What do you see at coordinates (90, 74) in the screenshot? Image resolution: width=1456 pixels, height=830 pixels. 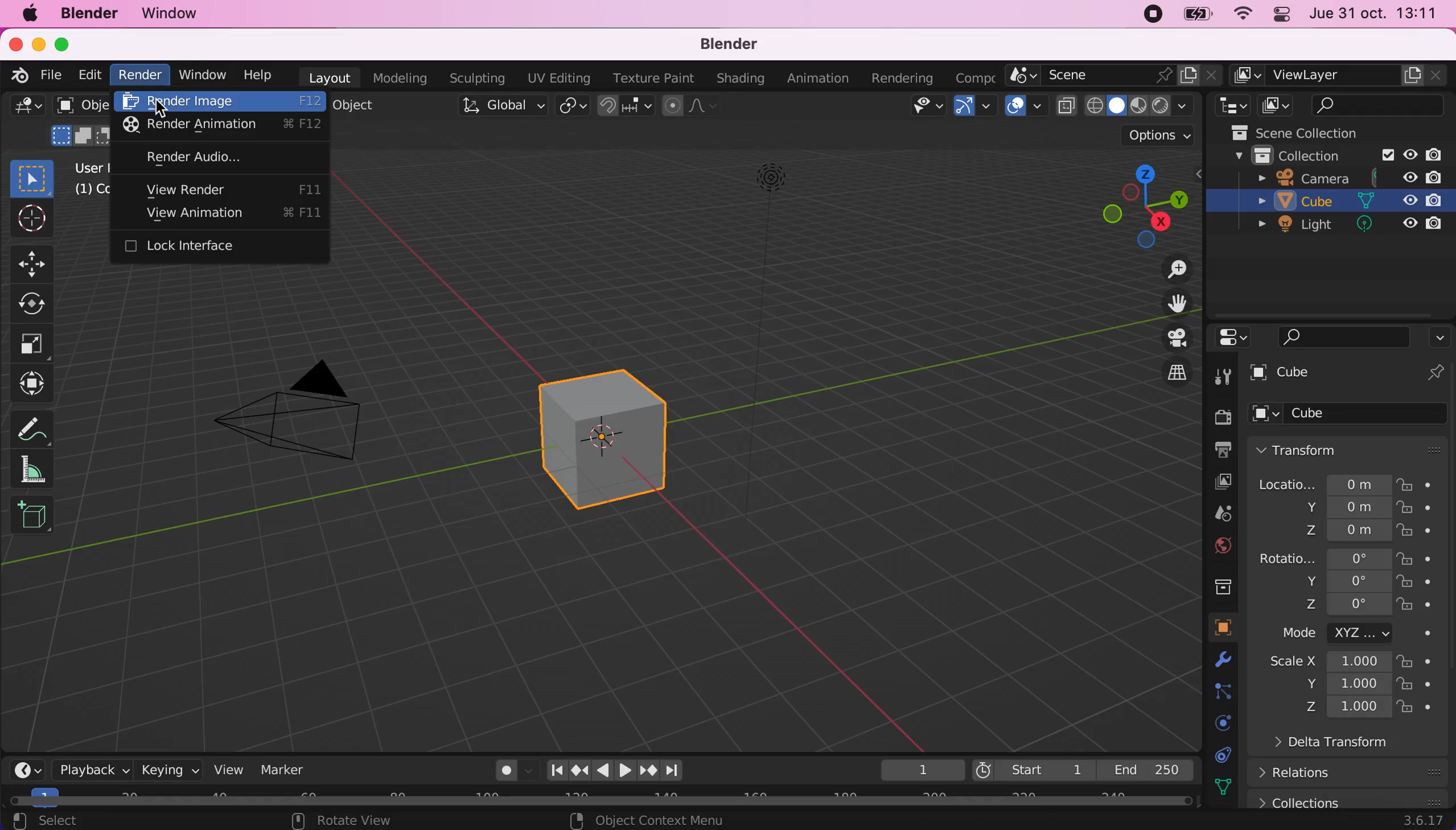 I see `edit` at bounding box center [90, 74].